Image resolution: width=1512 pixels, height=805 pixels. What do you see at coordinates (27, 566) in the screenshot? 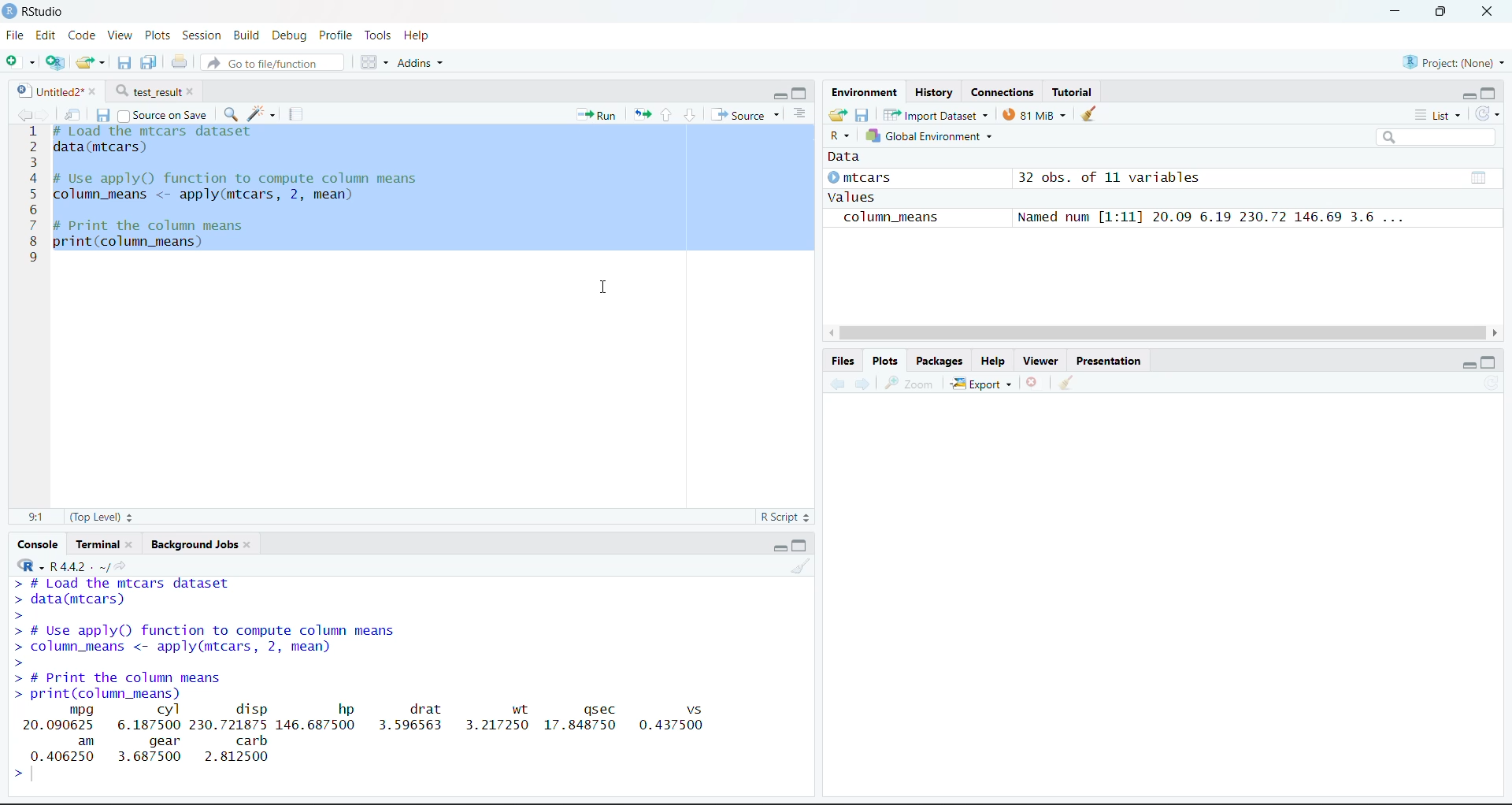
I see `R` at bounding box center [27, 566].